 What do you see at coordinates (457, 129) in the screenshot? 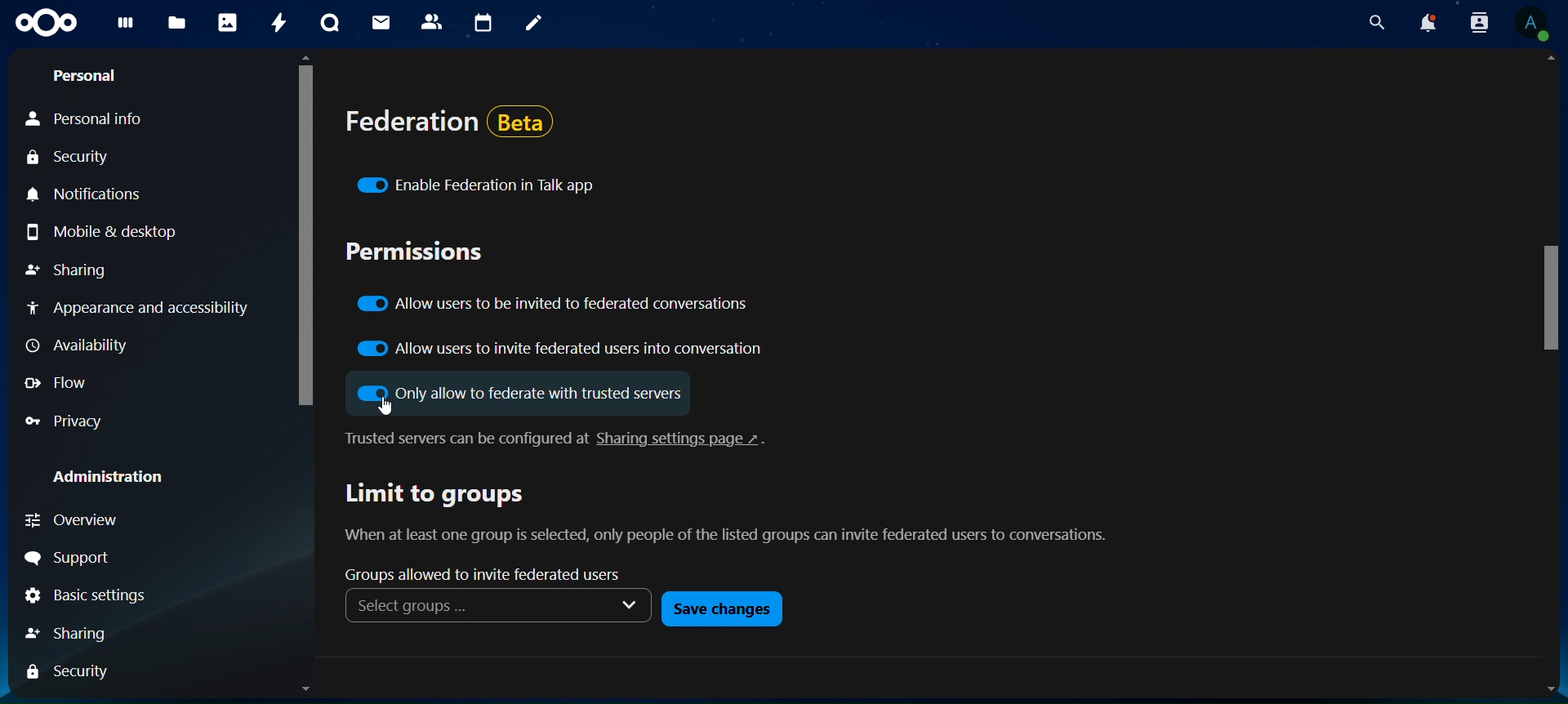
I see `federation` at bounding box center [457, 129].